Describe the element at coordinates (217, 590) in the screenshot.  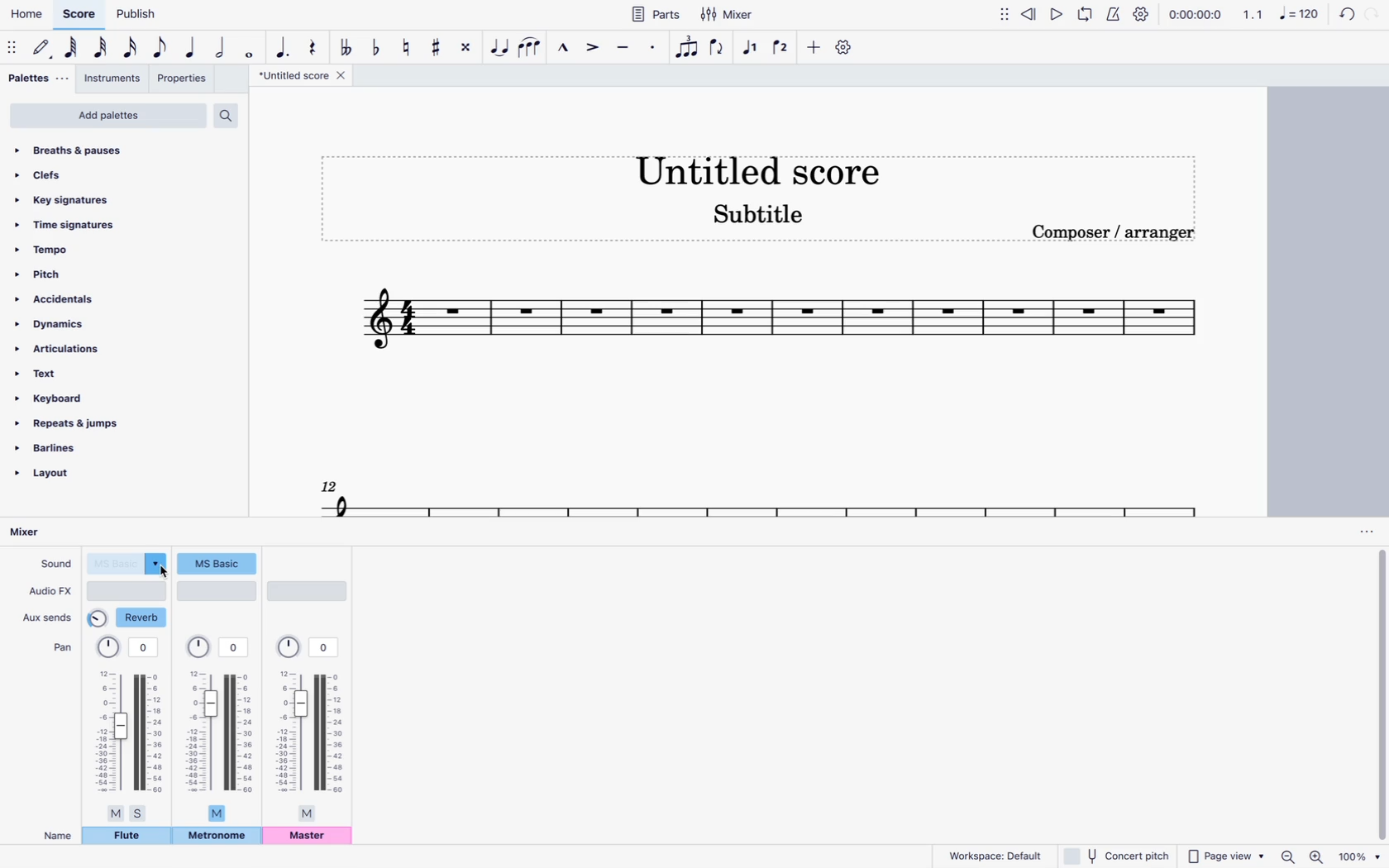
I see `audio type` at that location.